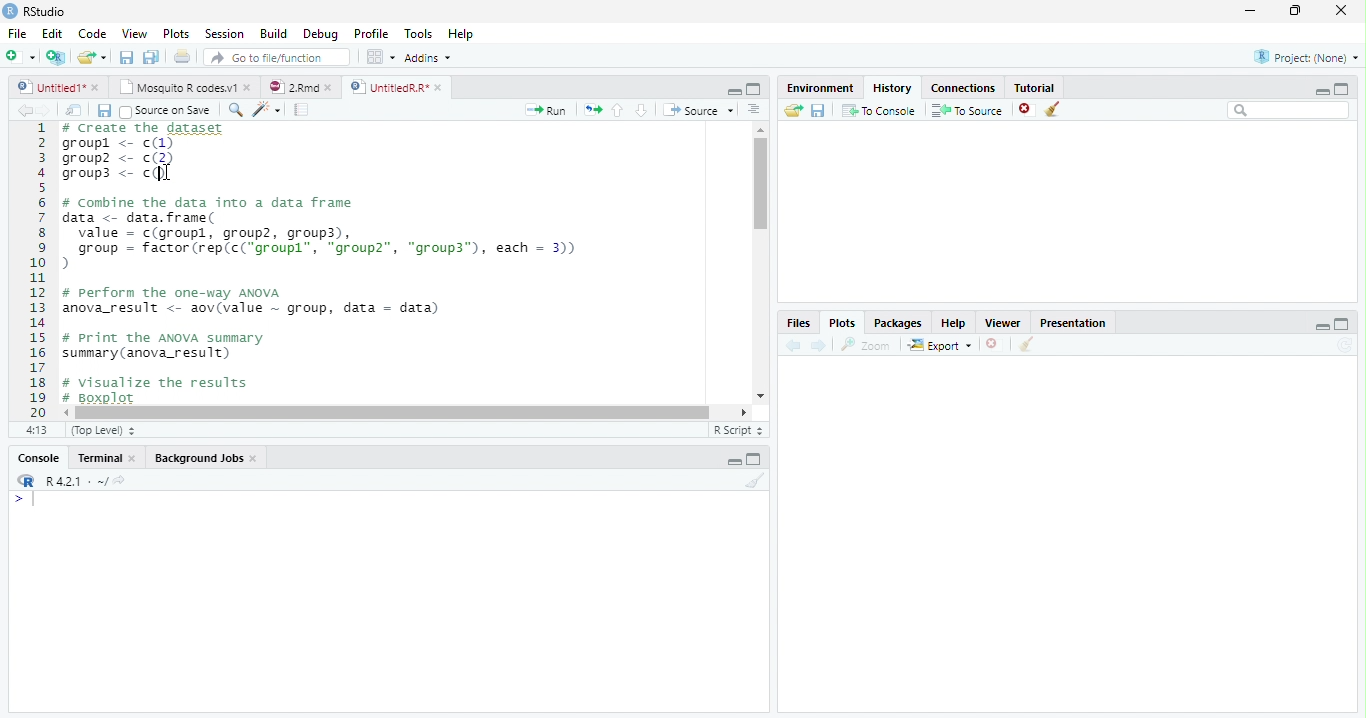  Describe the element at coordinates (34, 430) in the screenshot. I see `1:1` at that location.